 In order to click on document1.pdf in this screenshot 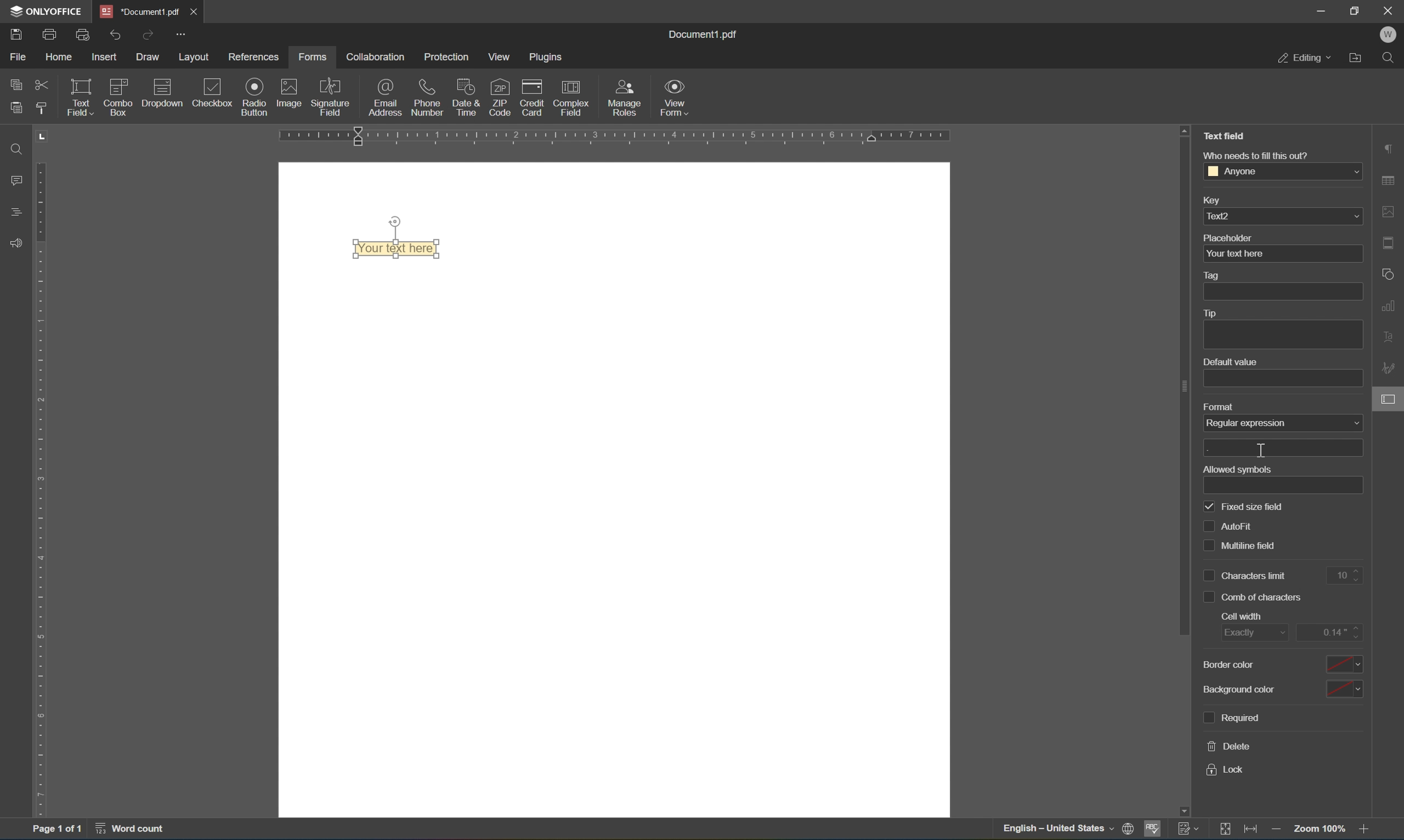, I will do `click(707, 34)`.